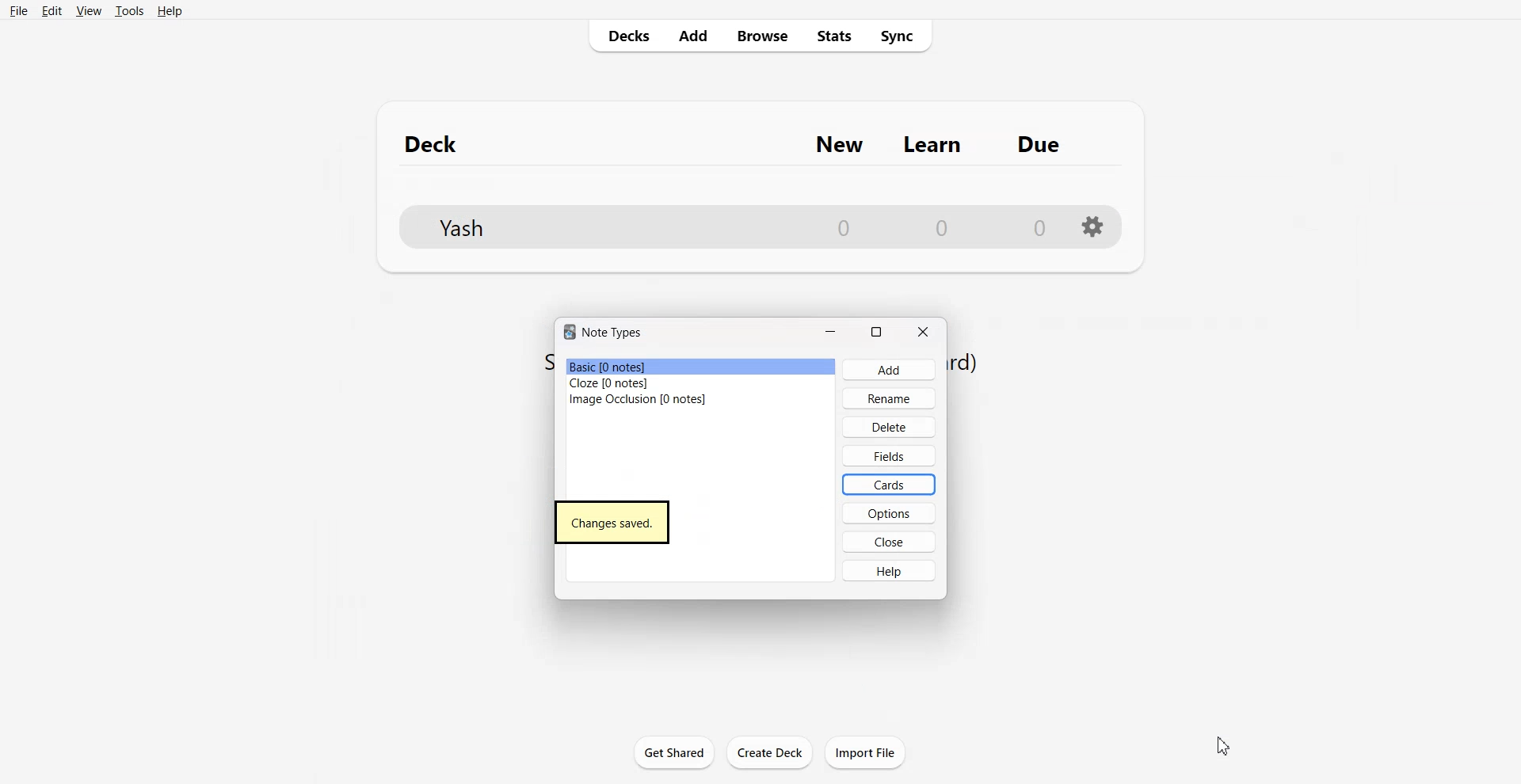 This screenshot has height=784, width=1521. I want to click on Import File, so click(866, 752).